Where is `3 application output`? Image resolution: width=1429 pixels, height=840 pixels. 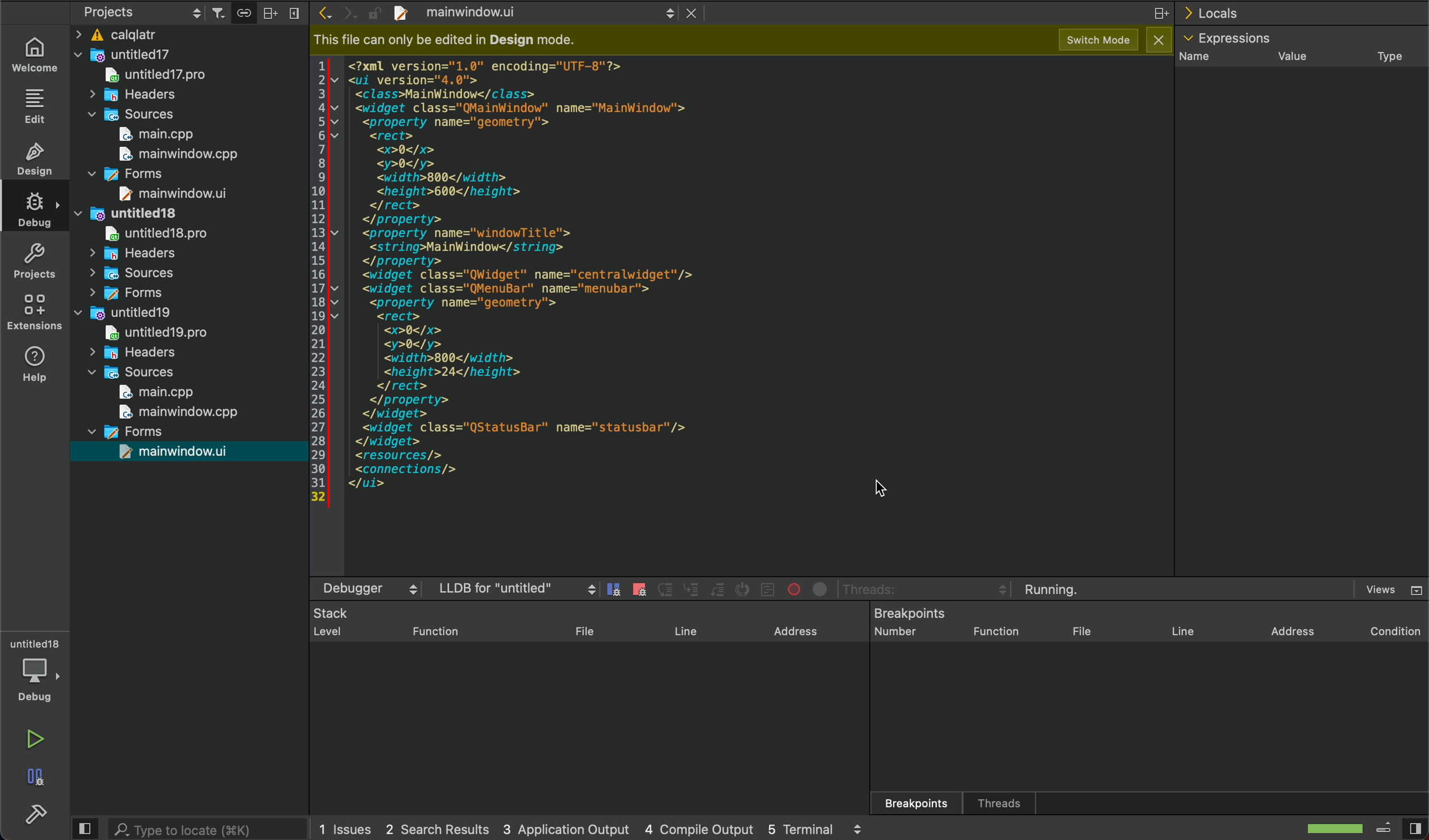 3 application output is located at coordinates (568, 826).